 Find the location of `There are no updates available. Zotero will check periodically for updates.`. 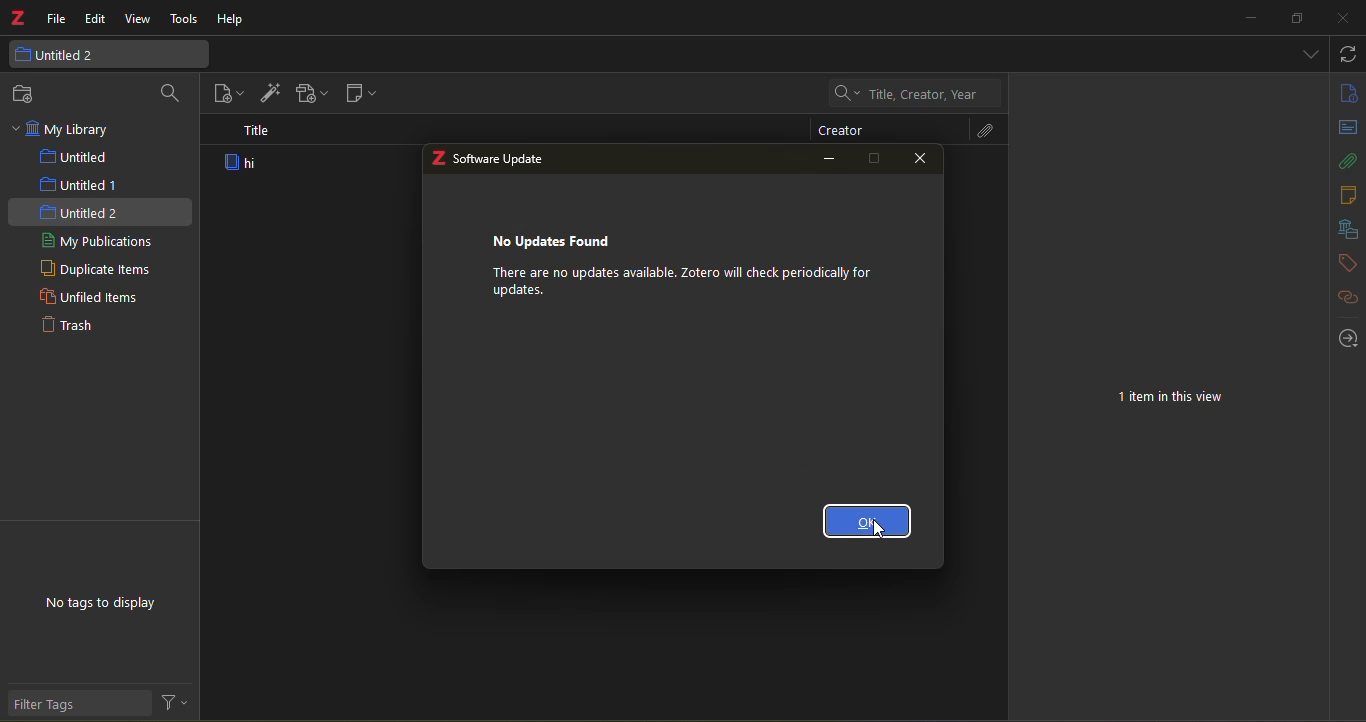

There are no updates available. Zotero will check periodically for updates. is located at coordinates (682, 282).